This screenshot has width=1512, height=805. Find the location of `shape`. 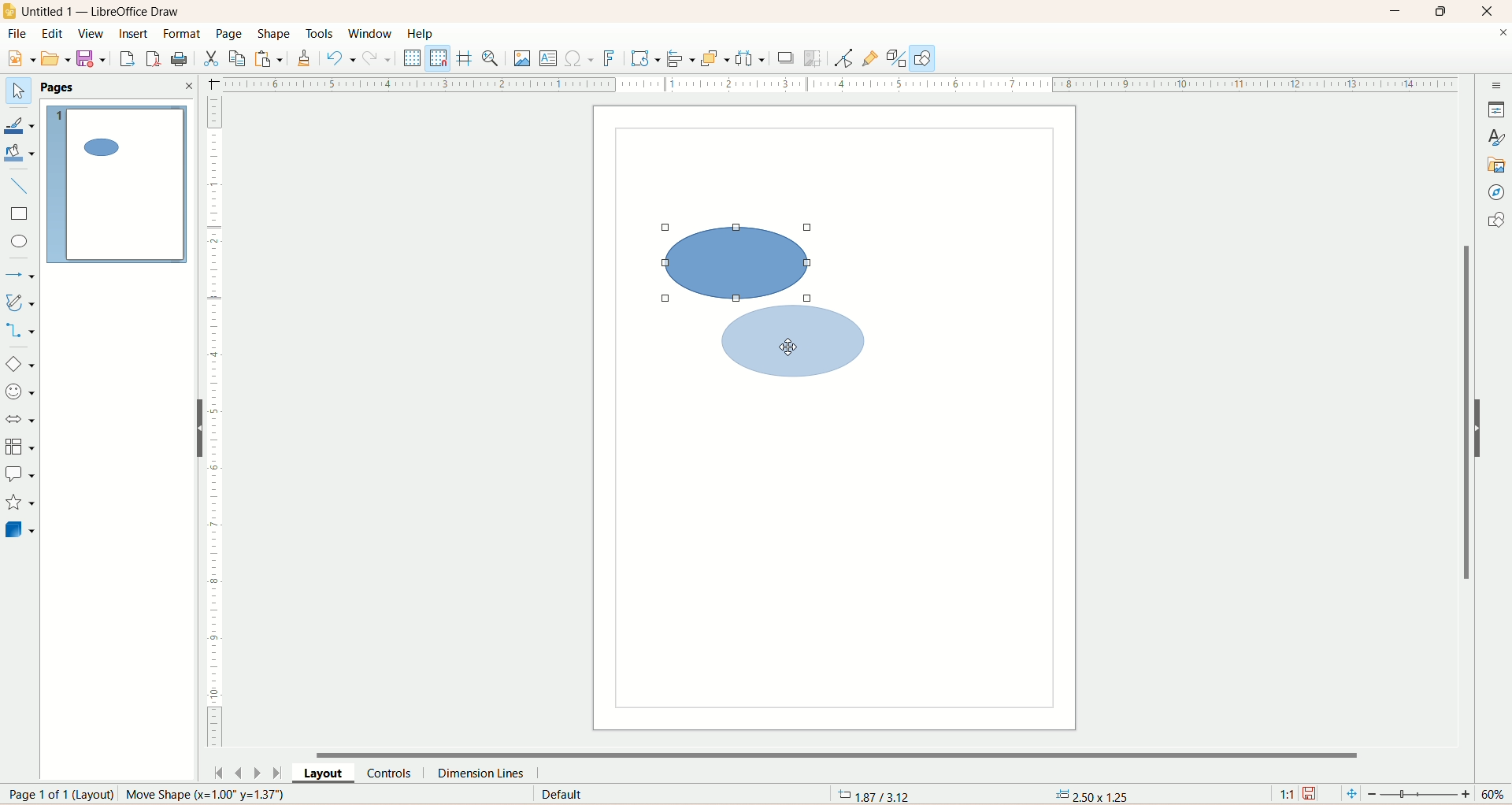

shape is located at coordinates (804, 343).